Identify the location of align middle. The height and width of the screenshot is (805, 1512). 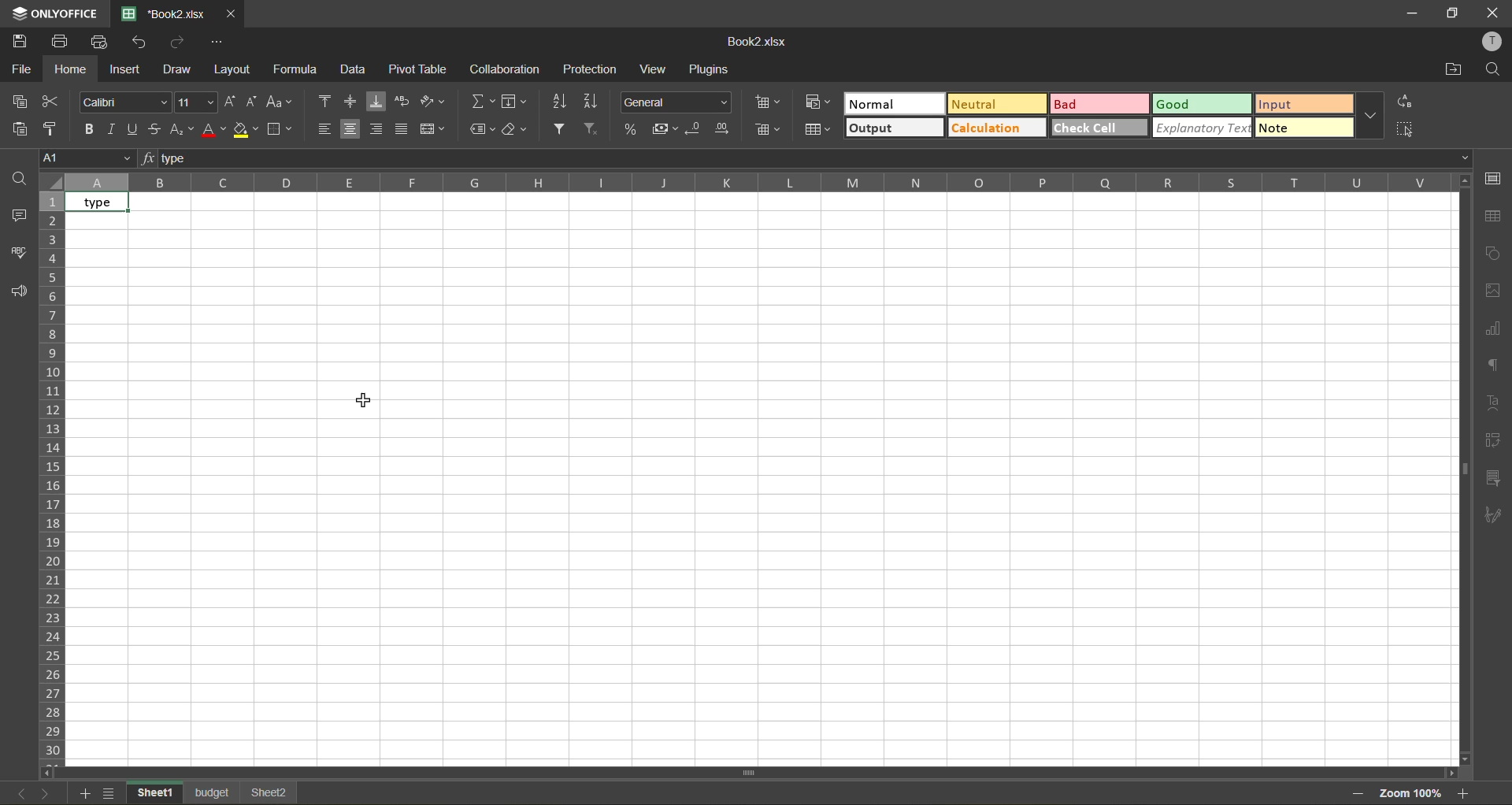
(352, 101).